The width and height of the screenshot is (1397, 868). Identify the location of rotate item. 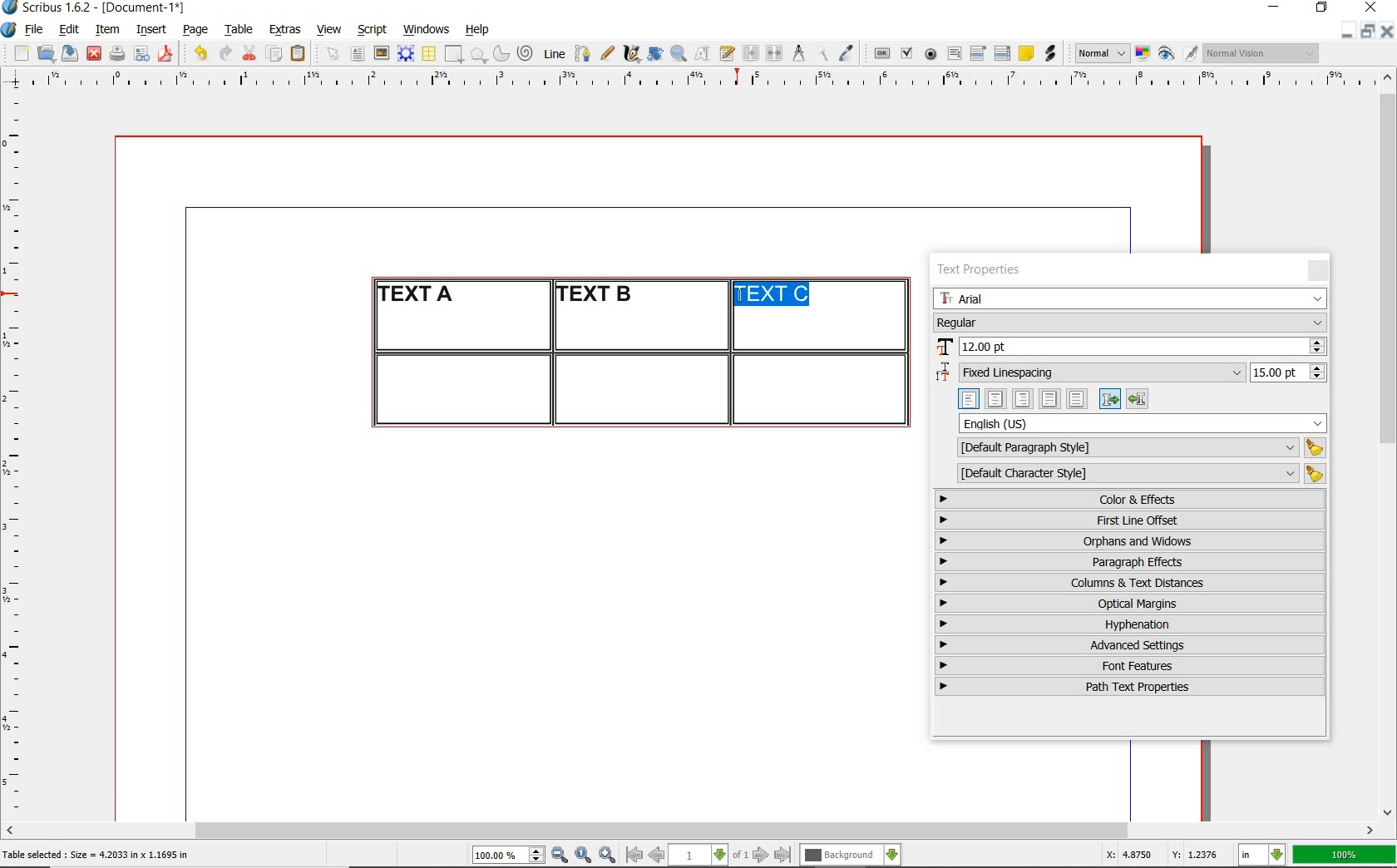
(655, 53).